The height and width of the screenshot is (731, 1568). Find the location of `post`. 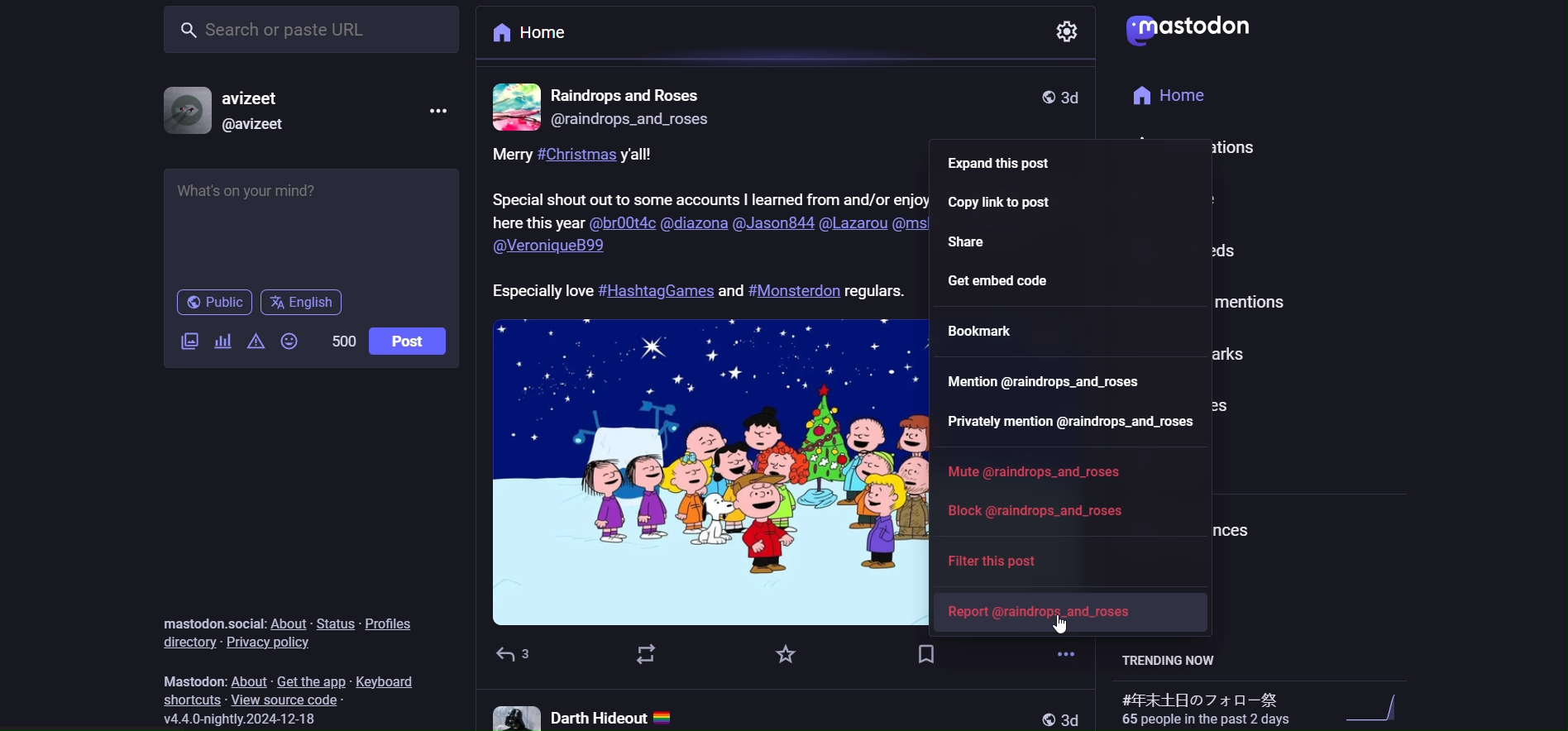

post is located at coordinates (414, 339).